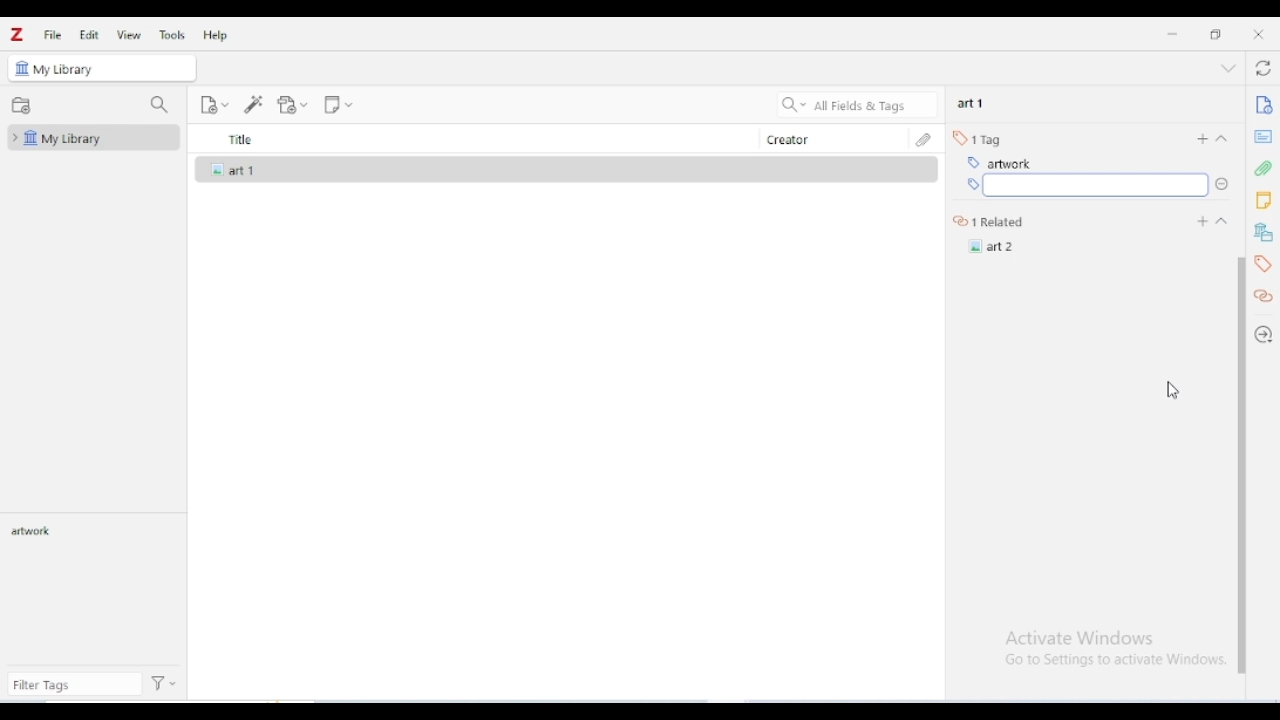 Image resolution: width=1280 pixels, height=720 pixels. What do you see at coordinates (1265, 169) in the screenshot?
I see `attachments` at bounding box center [1265, 169].